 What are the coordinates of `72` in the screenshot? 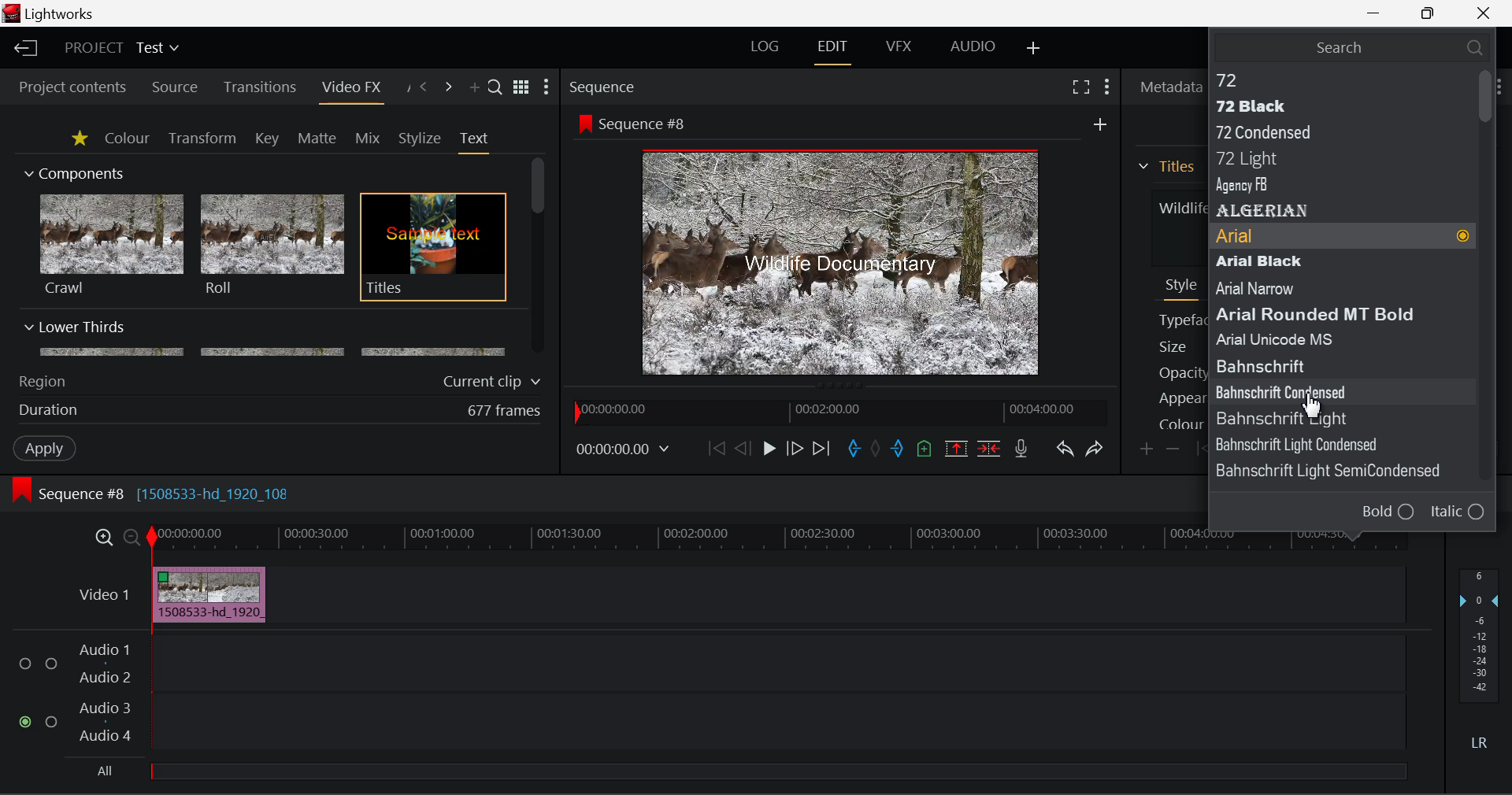 It's located at (1329, 79).